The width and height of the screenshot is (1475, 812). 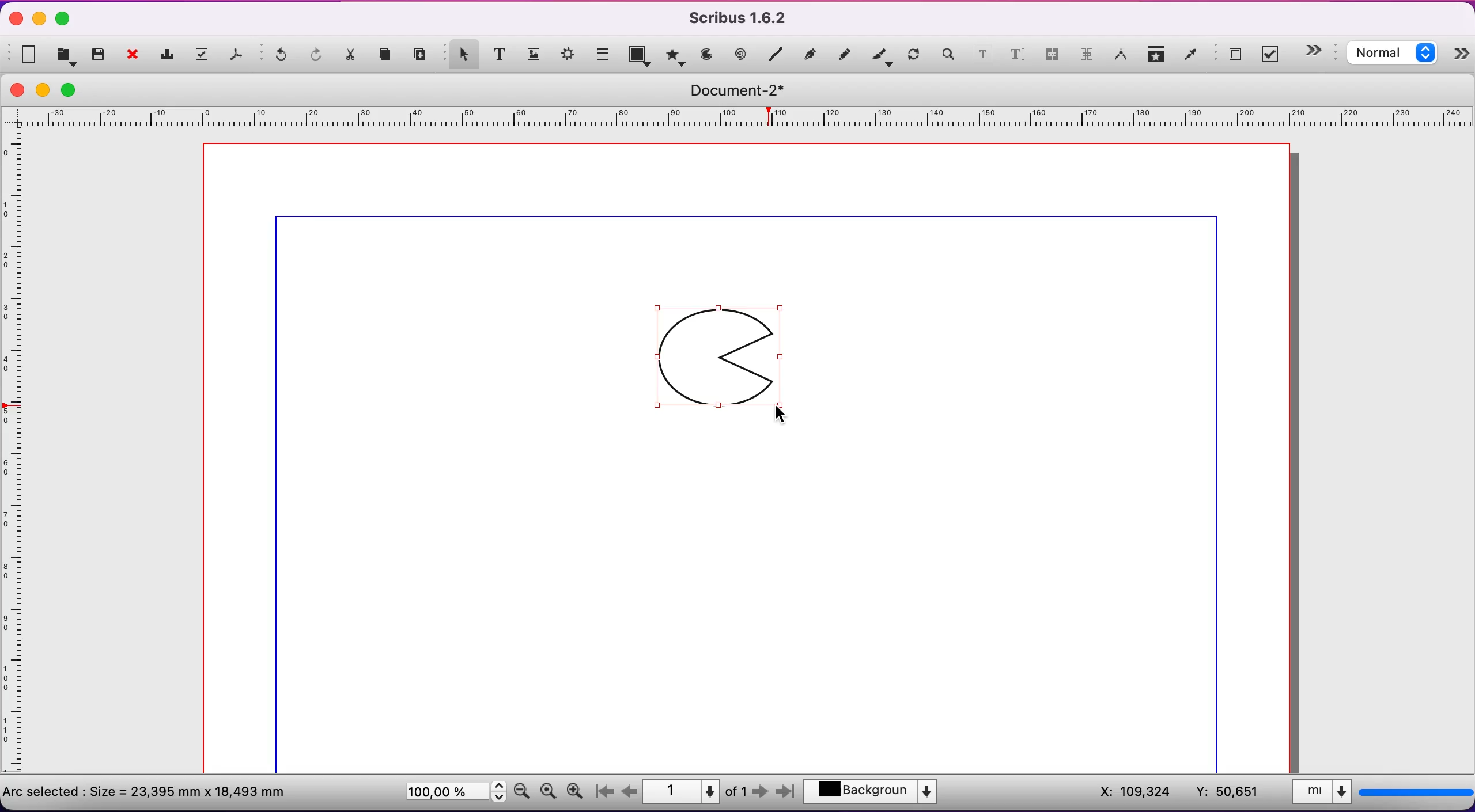 I want to click on zoom to 100%, so click(x=548, y=794).